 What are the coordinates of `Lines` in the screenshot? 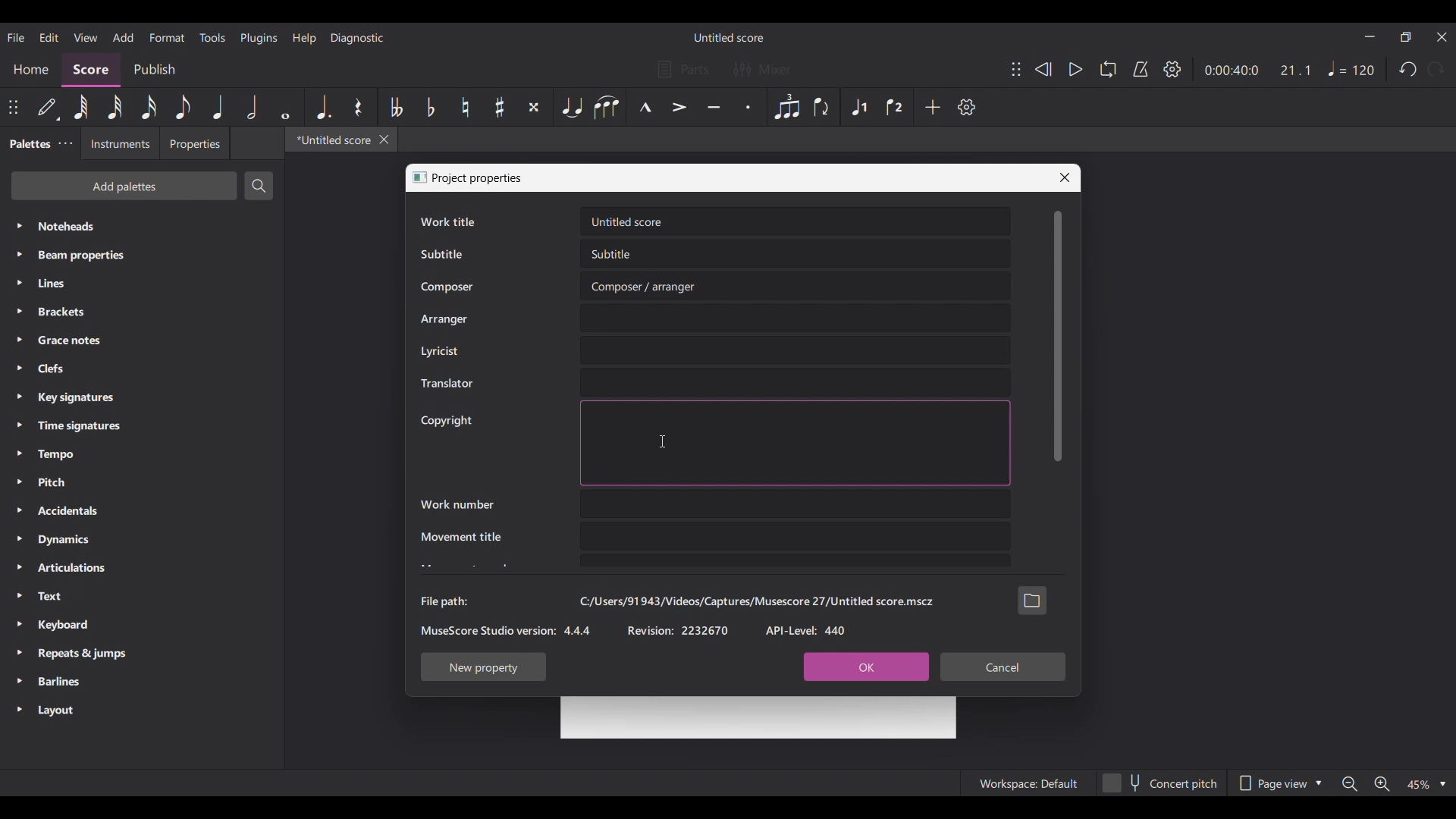 It's located at (142, 284).